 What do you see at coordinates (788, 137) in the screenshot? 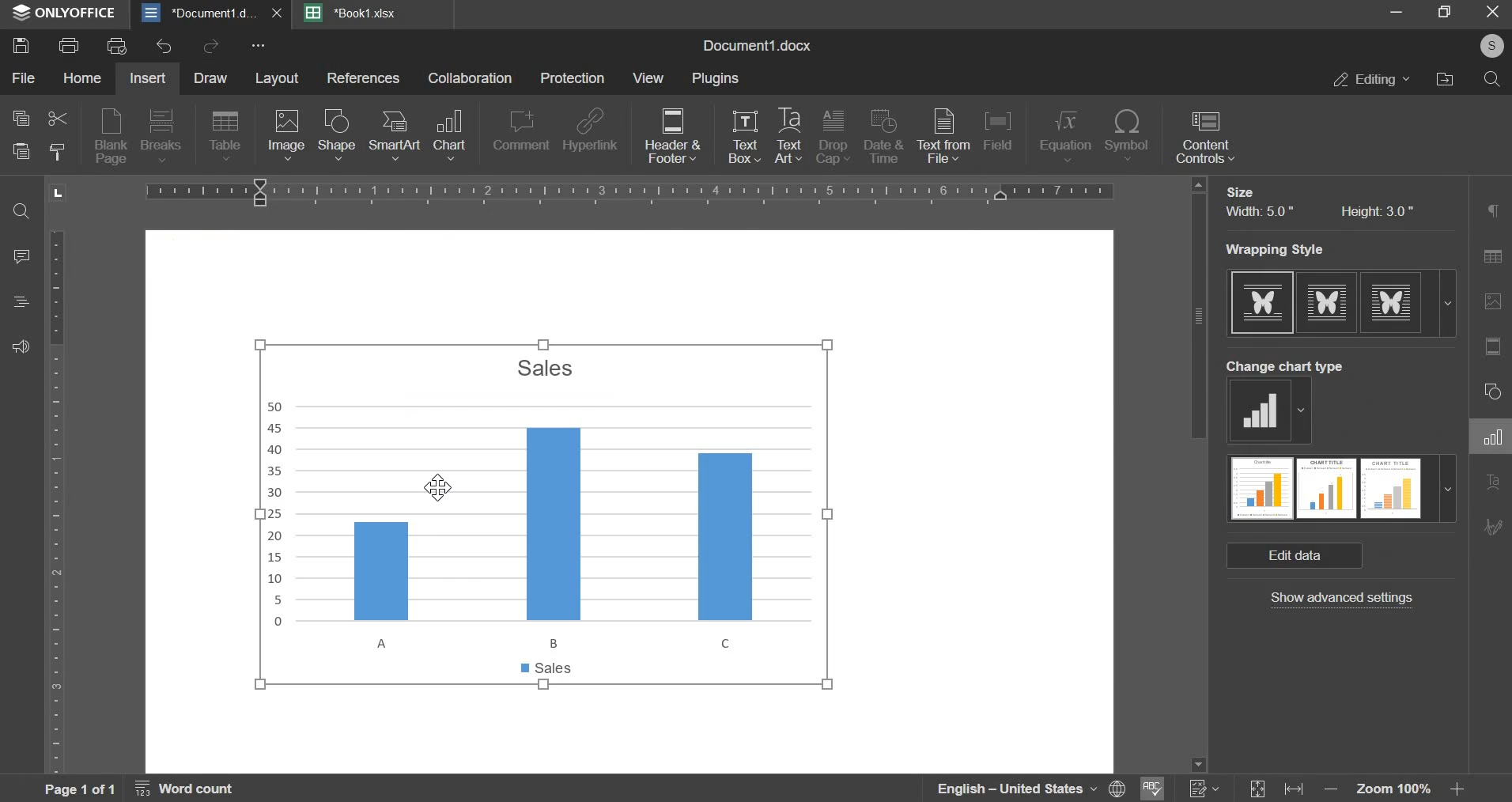
I see `text art` at bounding box center [788, 137].